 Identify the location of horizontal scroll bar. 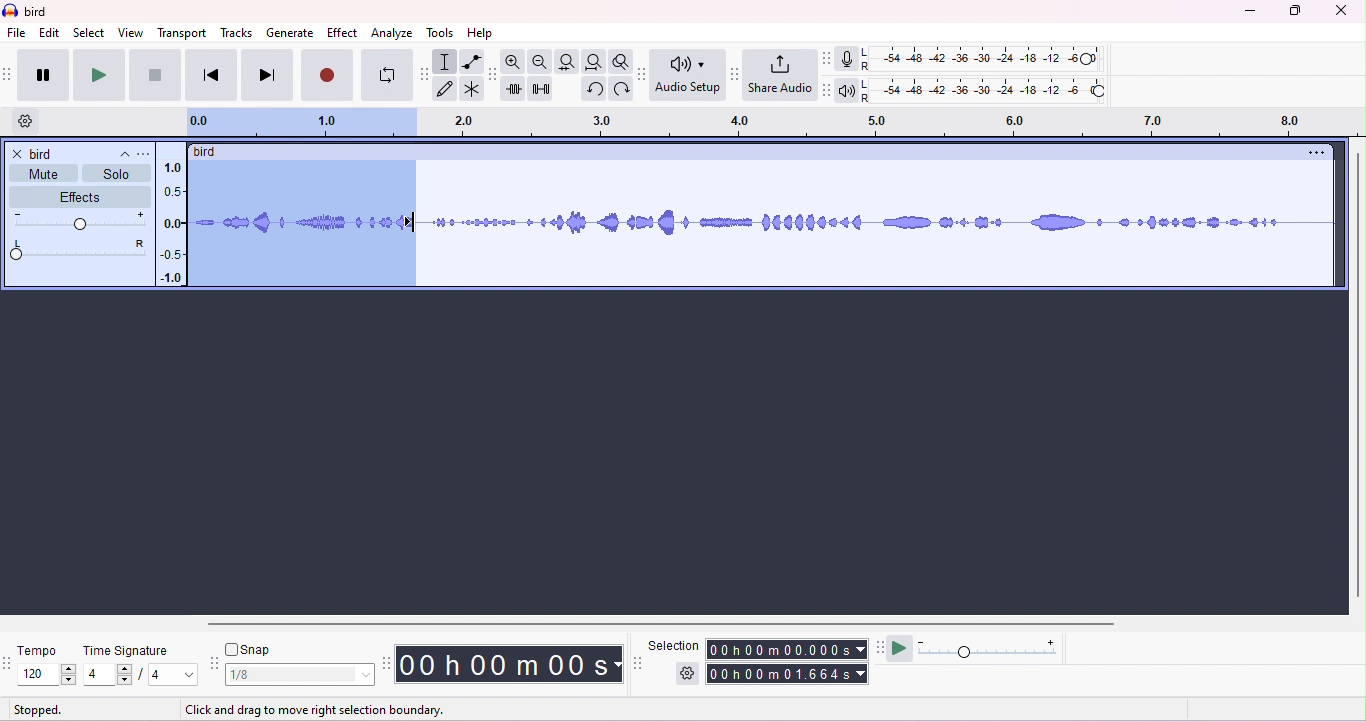
(668, 626).